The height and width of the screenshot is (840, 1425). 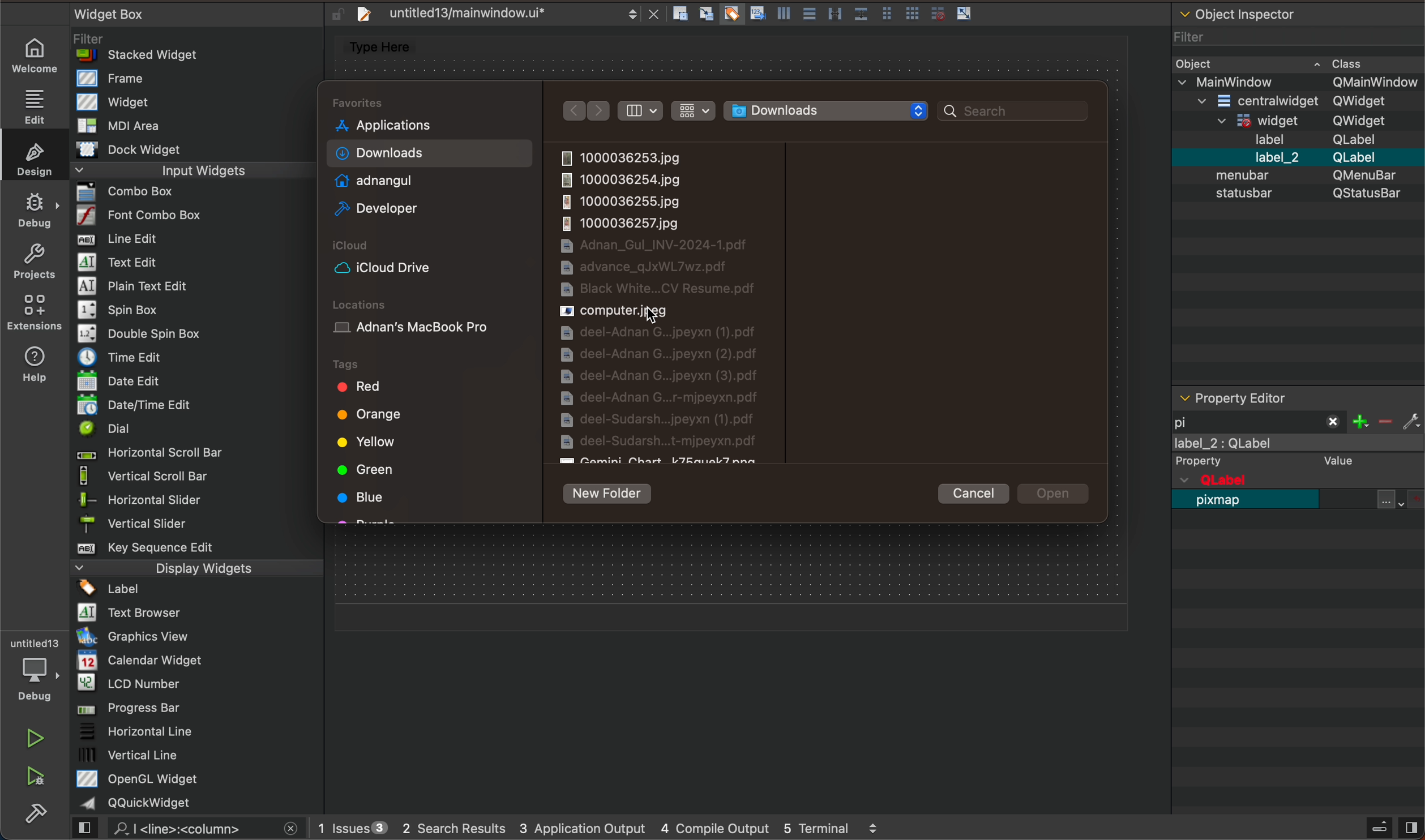 I want to click on edit, so click(x=32, y=104).